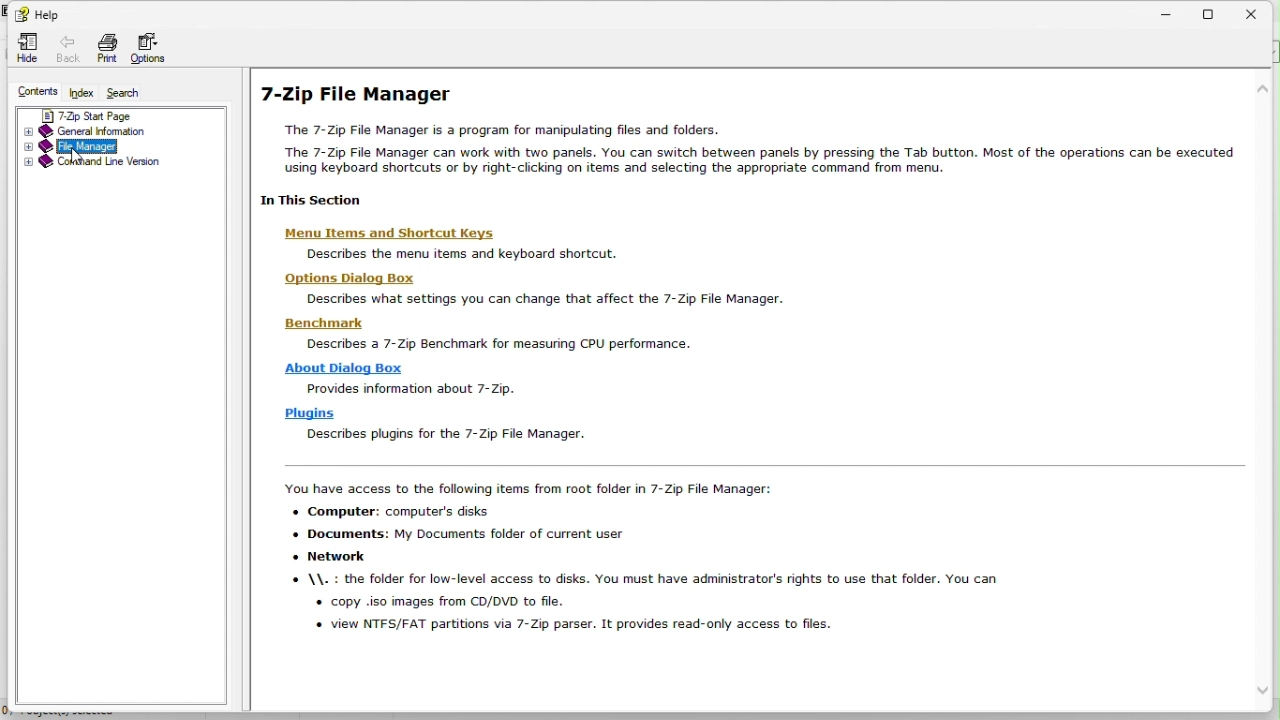  What do you see at coordinates (737, 367) in the screenshot?
I see `7-Zip File Manager
The 7-Zip File Manager is a program for manipulating files and folders
The 7-Zip File Manager can work with two panels. You can switch between panels by pressing the Tab button. Most of the operations can be executed
using keyboard shortcuts or by right-clicking on items and selecting the appropriate command from menu.
In This Section
Menu Items and Shortcut Keys
Describes the menu items and keyboard shortcut.
Options Dialog Box
Describes what settings you can change that affect the 7-Zip File Manager.
Benchmark
Describes a 7-Zip Benchmark for measuring CPU performance.
About Dialog Box
Provides information about 7-Zip.
Plugins
Describes plugins for the 7-Zip File Manager.
You have access to the following items from root folder in 7-Zip File Manager:
+ Computer: computer's disks
+ Documents: My Documents folder of current user
* Network
« \\. : the folder for low-level access to disks. You must have administrator's rights to use that folder. You can
« copy .iso images from CD/DVD to file.
+ view NTFS/FAT partitions via 7-Zip parser. It provides read-only access to files.` at bounding box center [737, 367].